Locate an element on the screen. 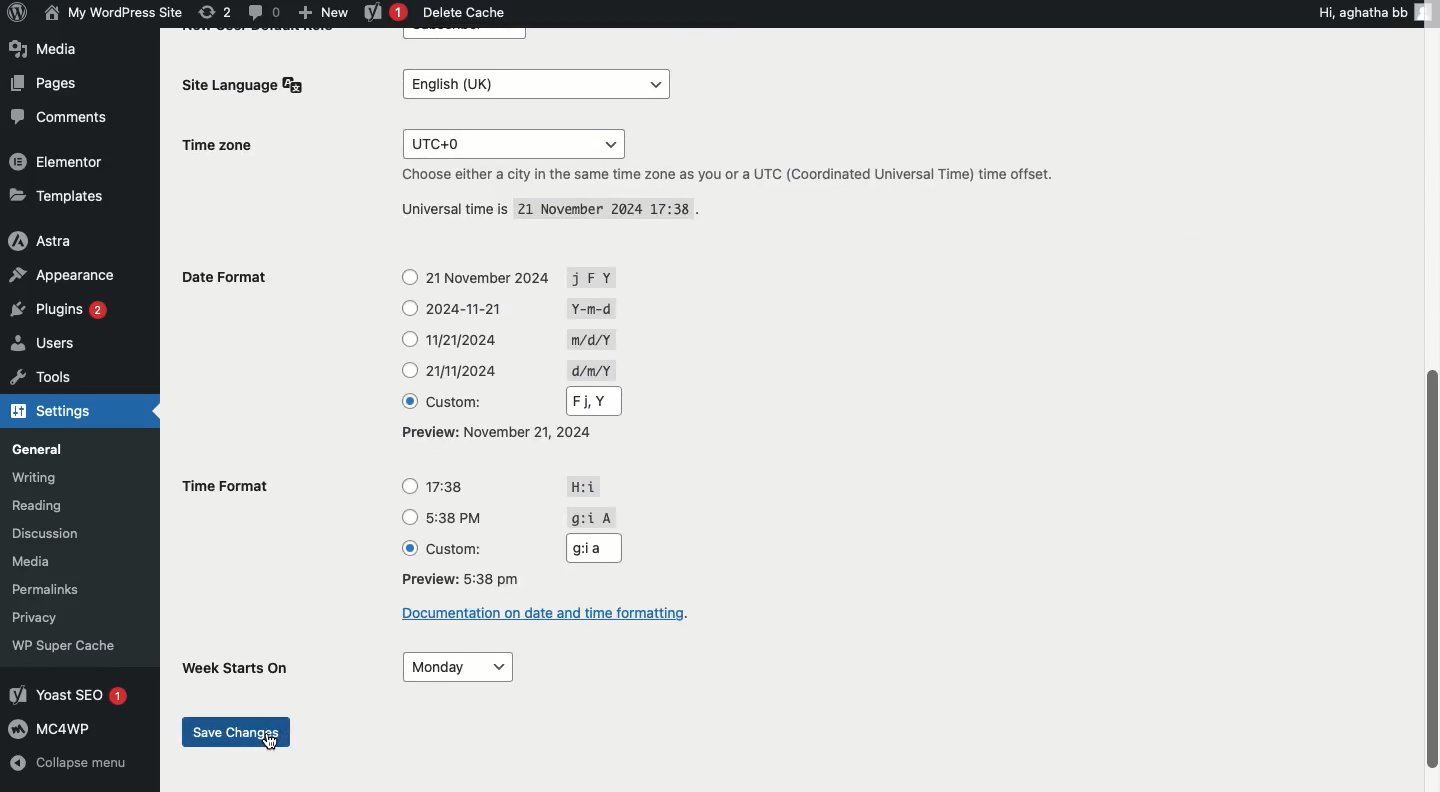 The height and width of the screenshot is (792, 1440). Universal time is 21 November 2024 17:38 . is located at coordinates (536, 209).